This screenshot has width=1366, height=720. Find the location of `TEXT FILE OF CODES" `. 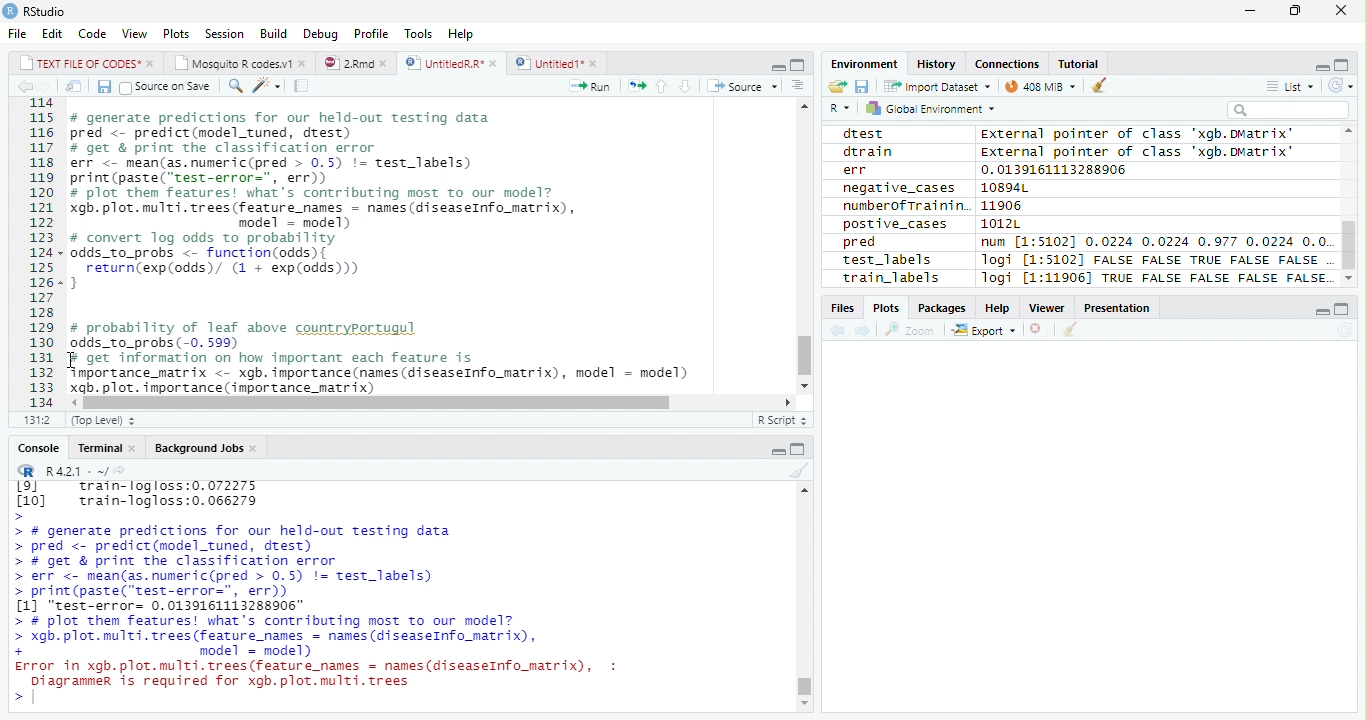

TEXT FILE OF CODES"  is located at coordinates (86, 63).